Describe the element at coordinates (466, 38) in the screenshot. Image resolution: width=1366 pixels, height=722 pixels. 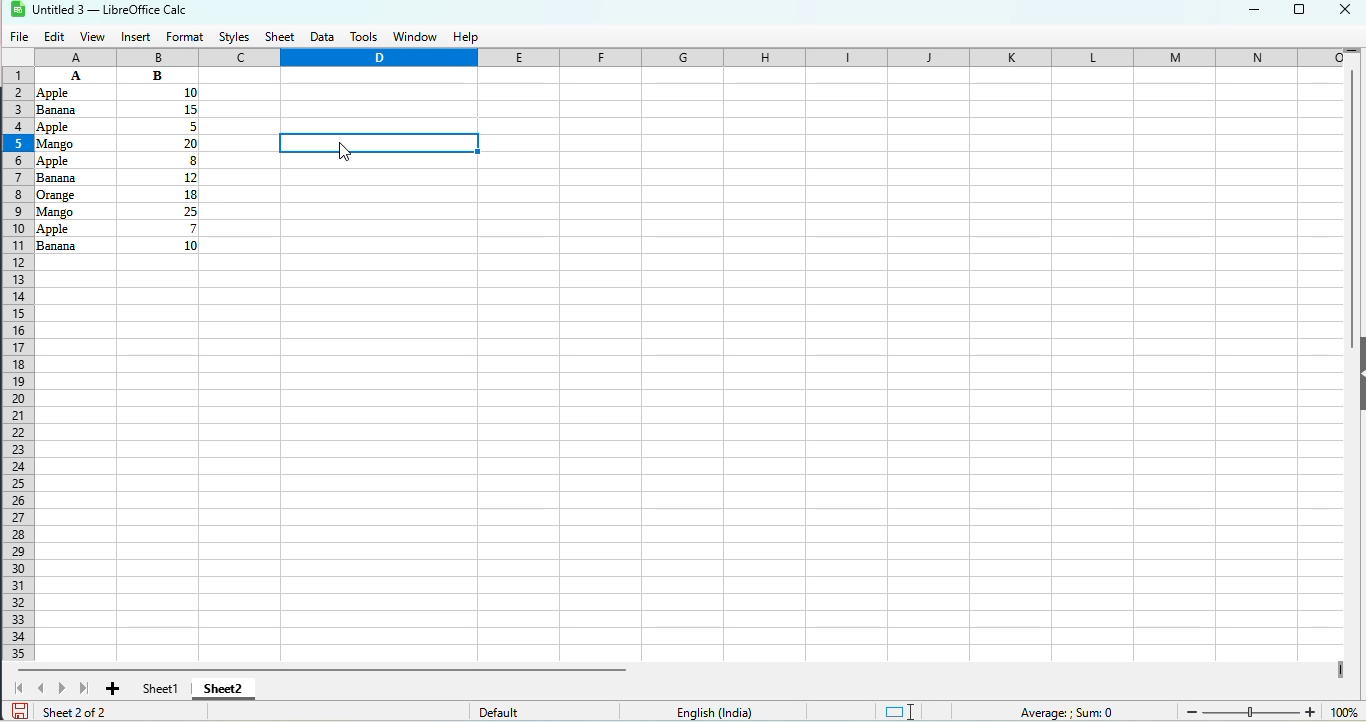
I see `help` at that location.